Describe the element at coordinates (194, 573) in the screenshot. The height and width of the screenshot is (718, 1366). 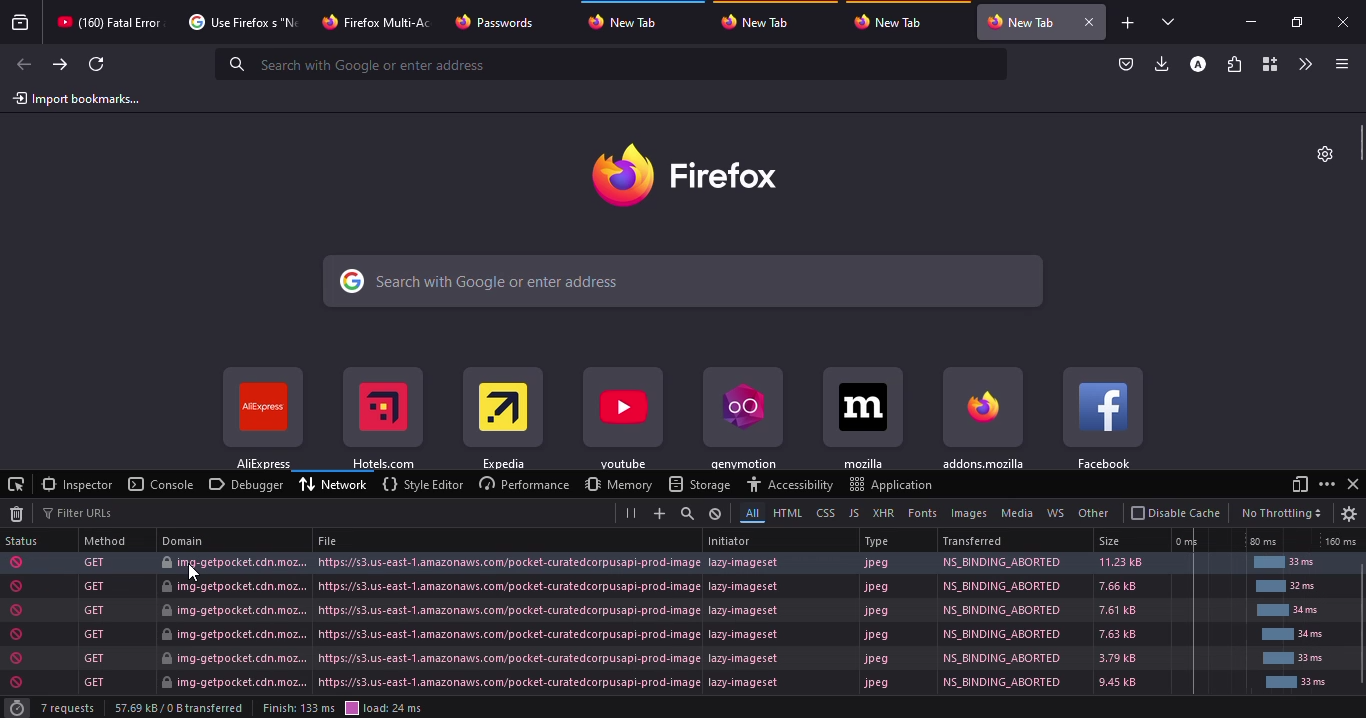
I see `cursor` at that location.